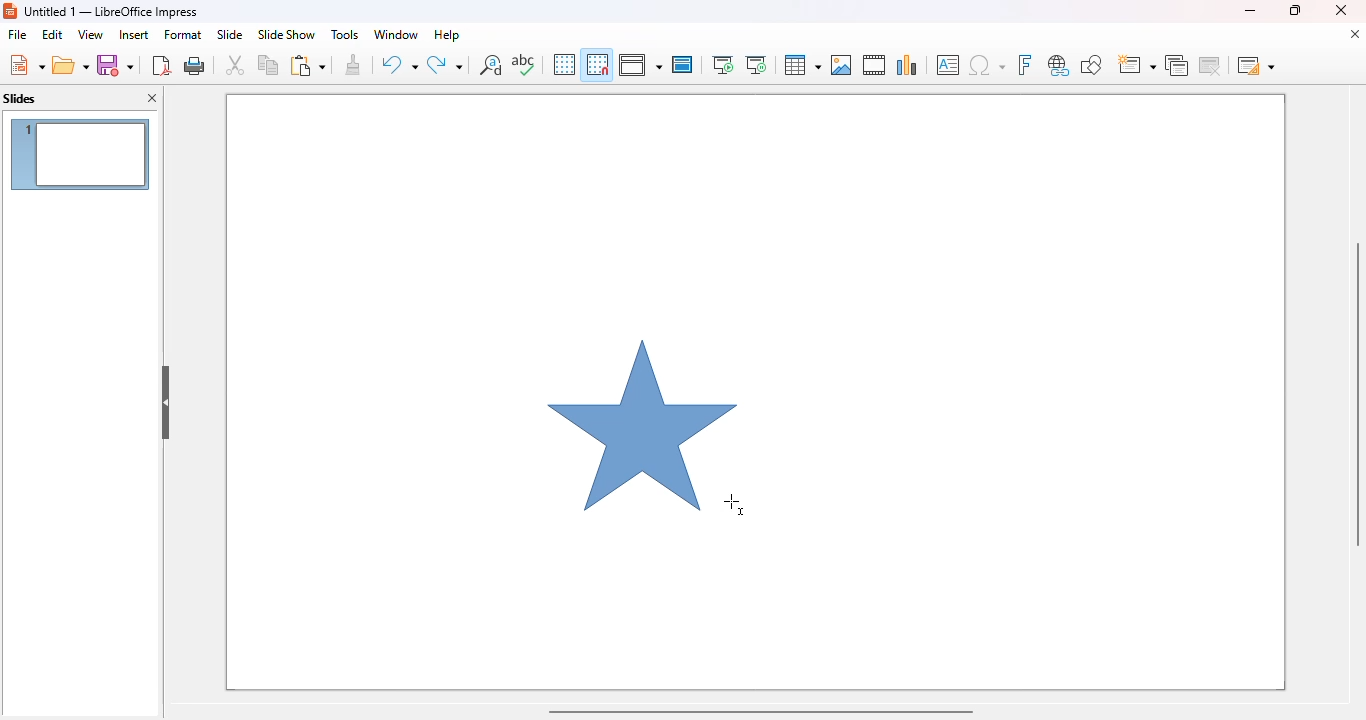 This screenshot has height=720, width=1366. I want to click on slide, so click(229, 34).